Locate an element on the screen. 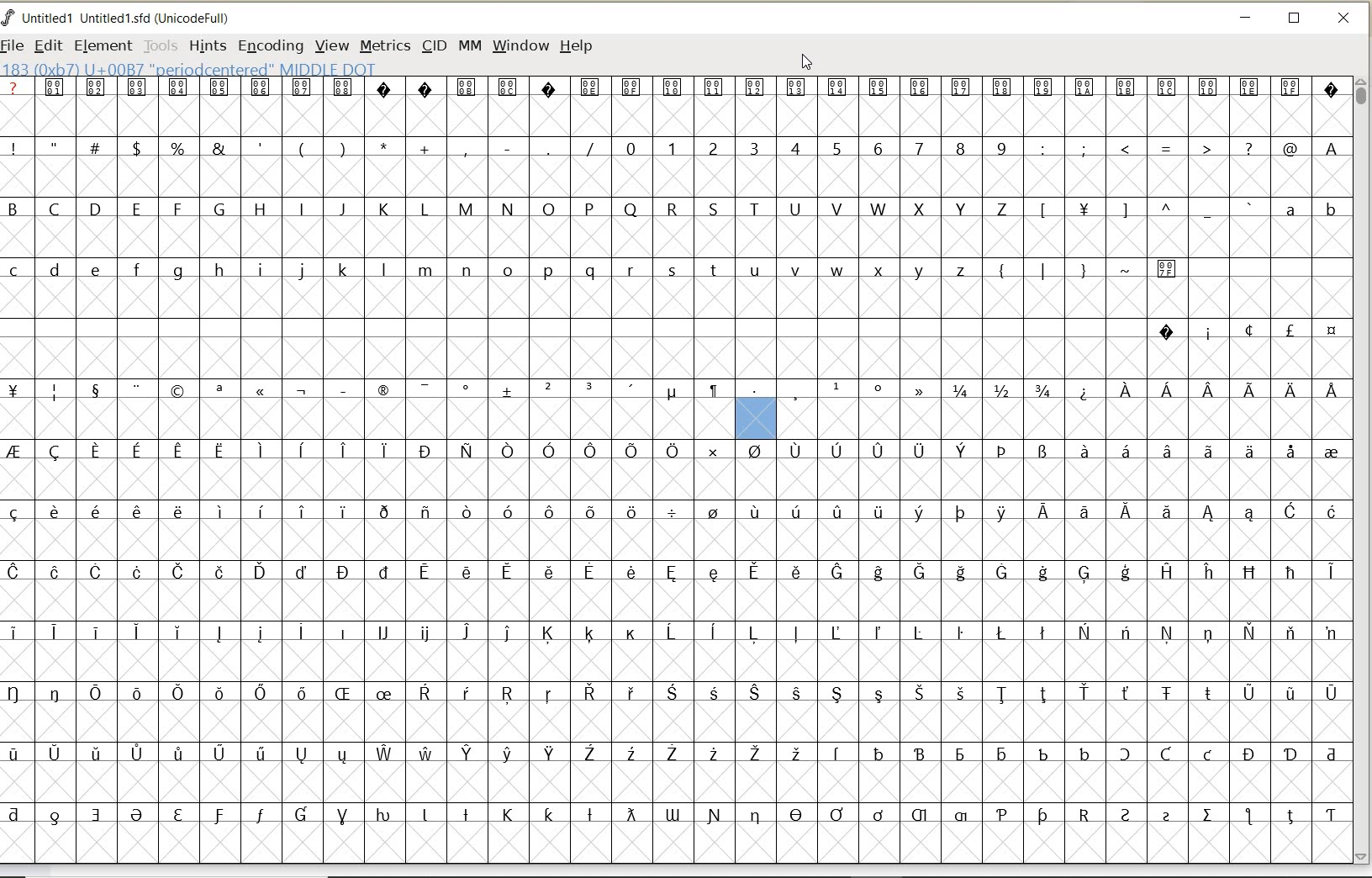 The width and height of the screenshot is (1372, 878).  is located at coordinates (1143, 211).